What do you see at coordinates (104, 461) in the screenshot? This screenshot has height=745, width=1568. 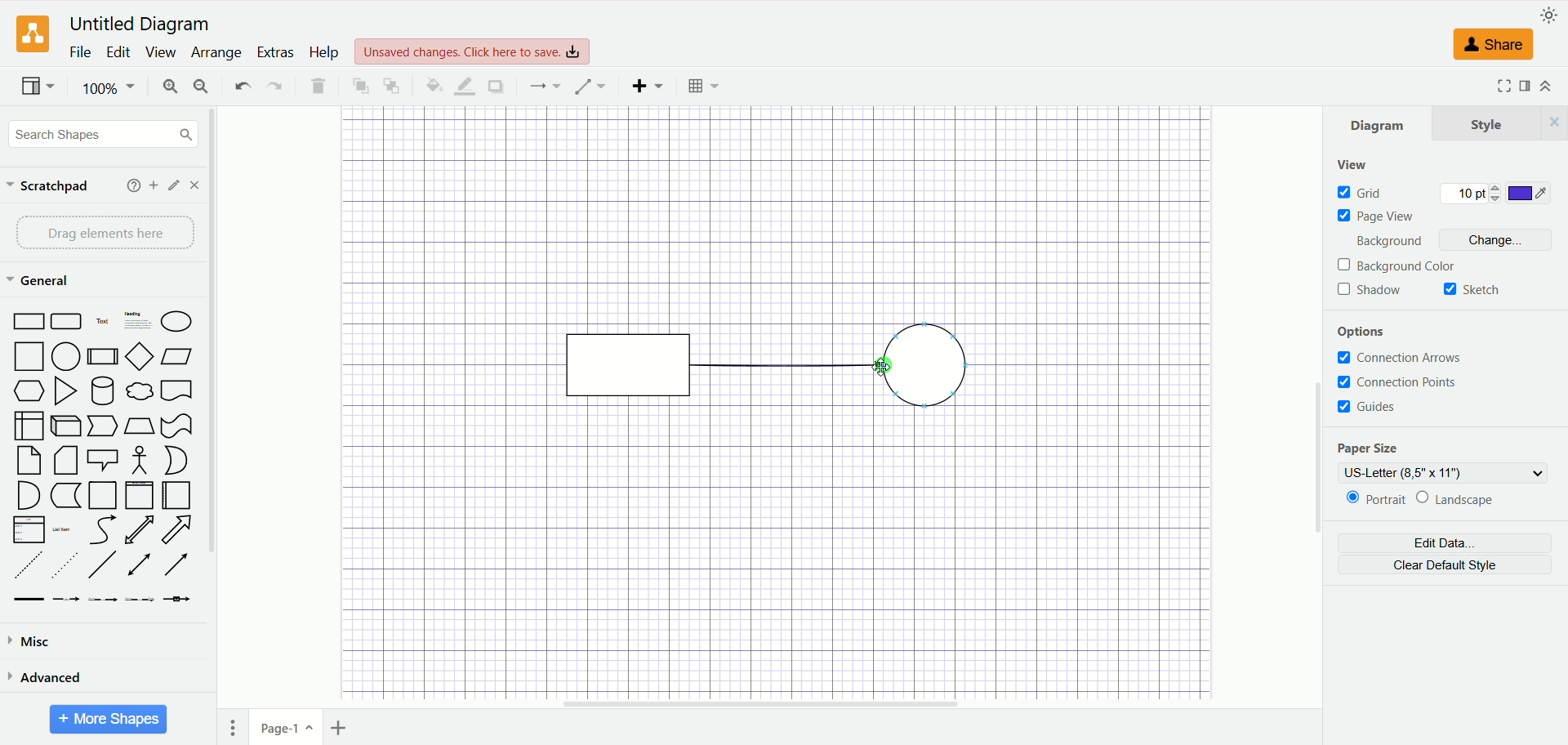 I see `Speech Bubble` at bounding box center [104, 461].